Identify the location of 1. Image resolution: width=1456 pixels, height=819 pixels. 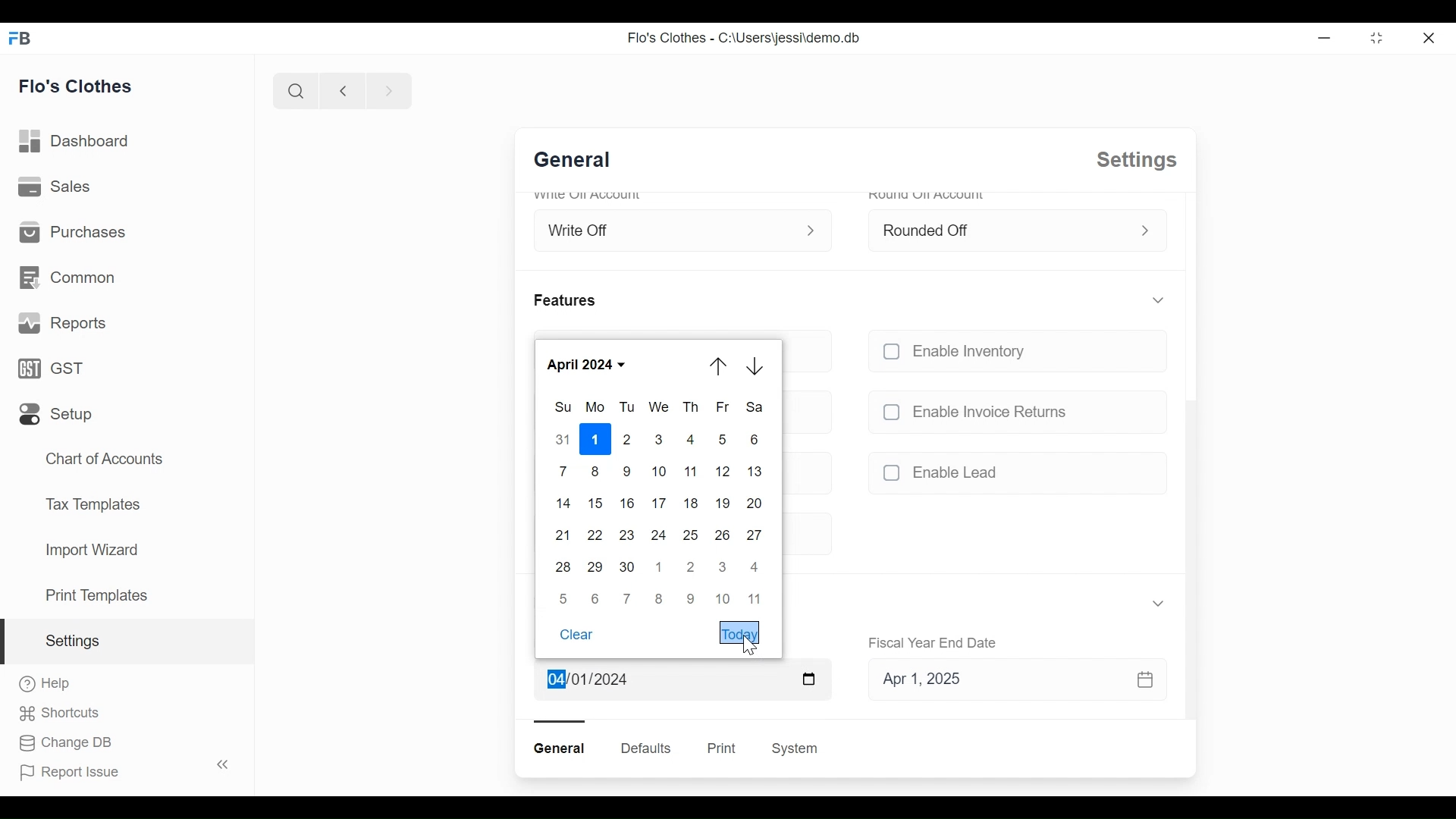
(595, 439).